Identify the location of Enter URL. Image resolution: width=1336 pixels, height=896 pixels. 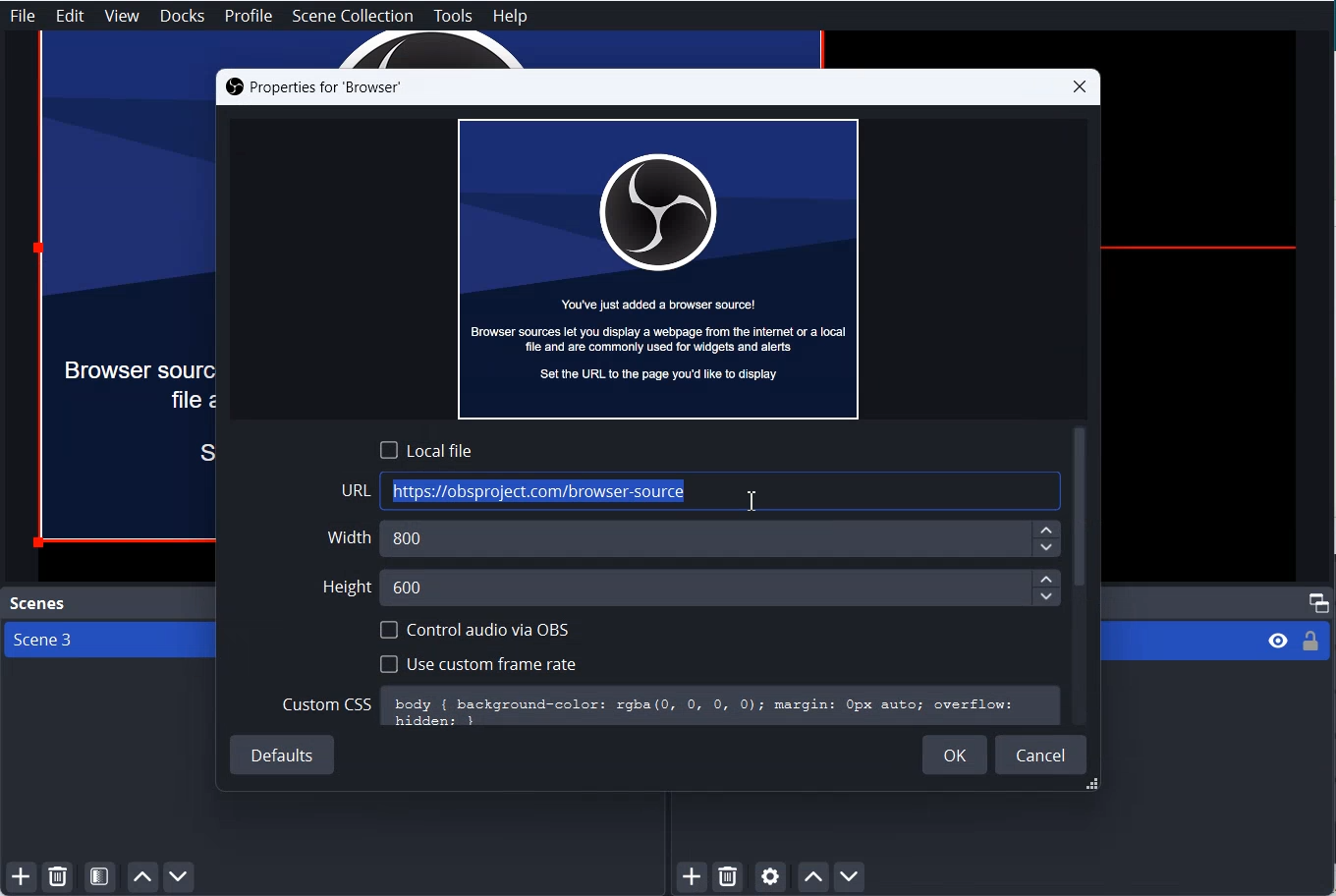
(701, 491).